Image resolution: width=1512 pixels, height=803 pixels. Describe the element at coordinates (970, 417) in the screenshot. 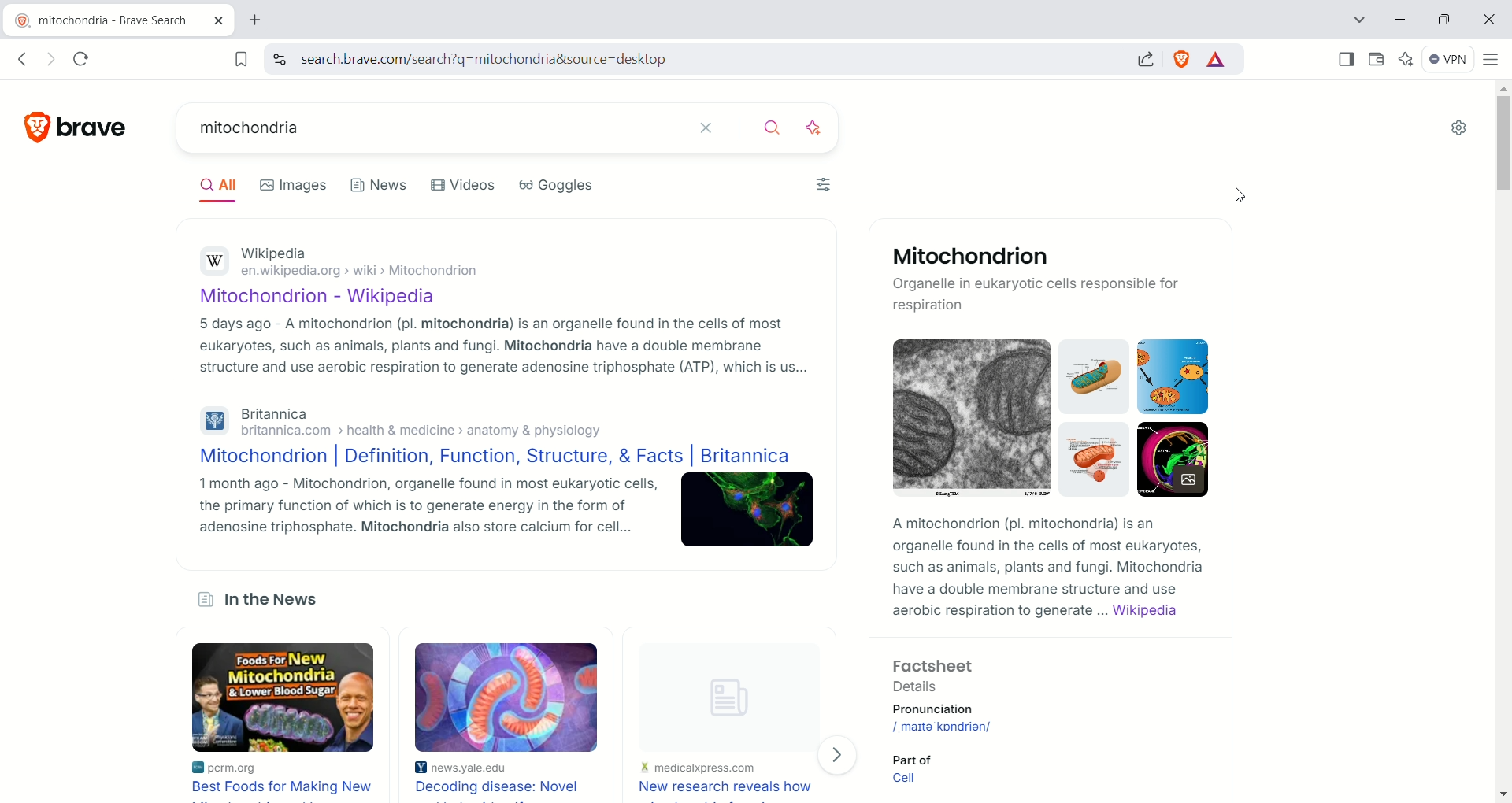

I see `Image` at that location.